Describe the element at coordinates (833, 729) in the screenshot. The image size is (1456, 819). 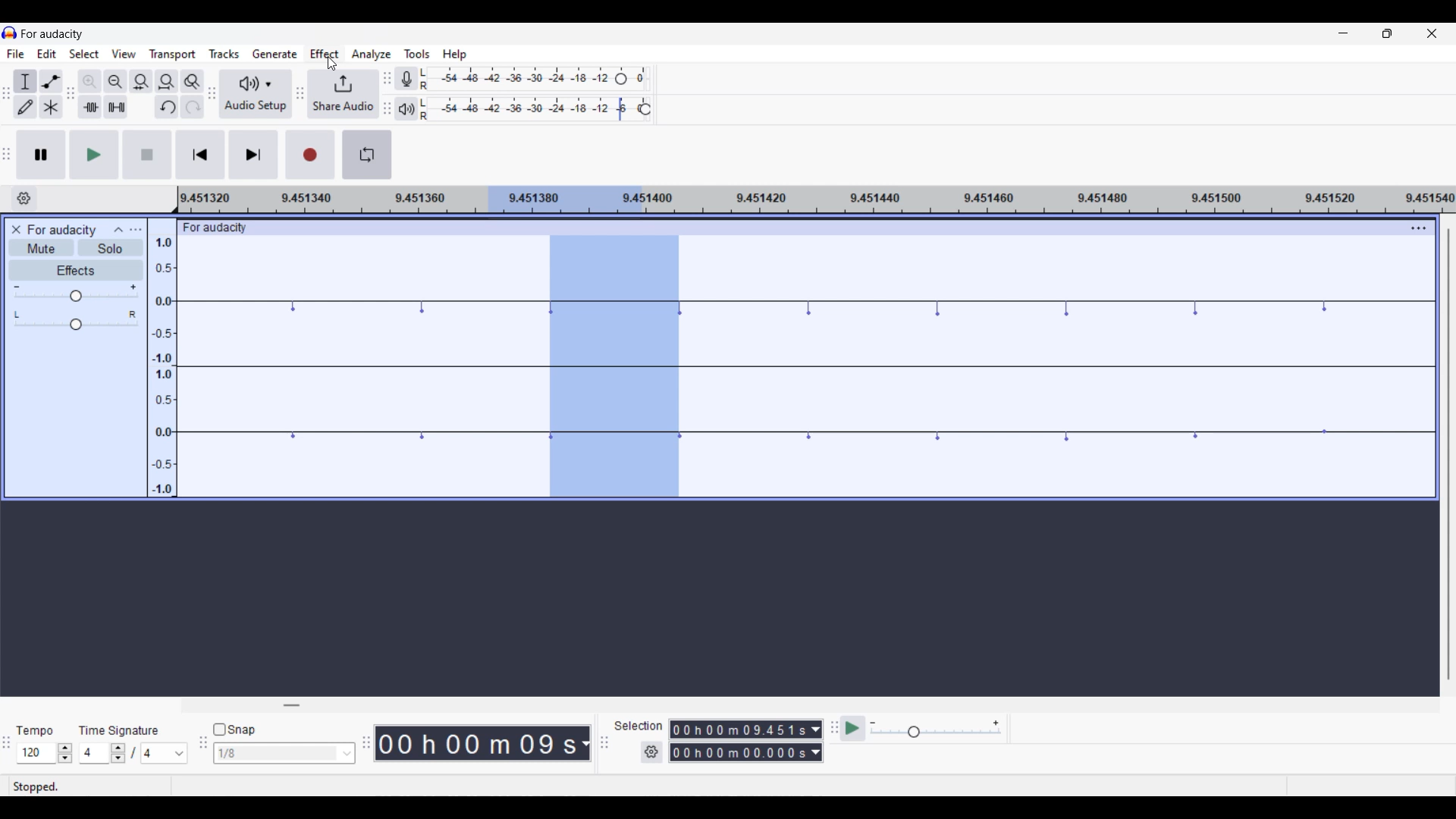
I see `Play at speed toolbar` at that location.